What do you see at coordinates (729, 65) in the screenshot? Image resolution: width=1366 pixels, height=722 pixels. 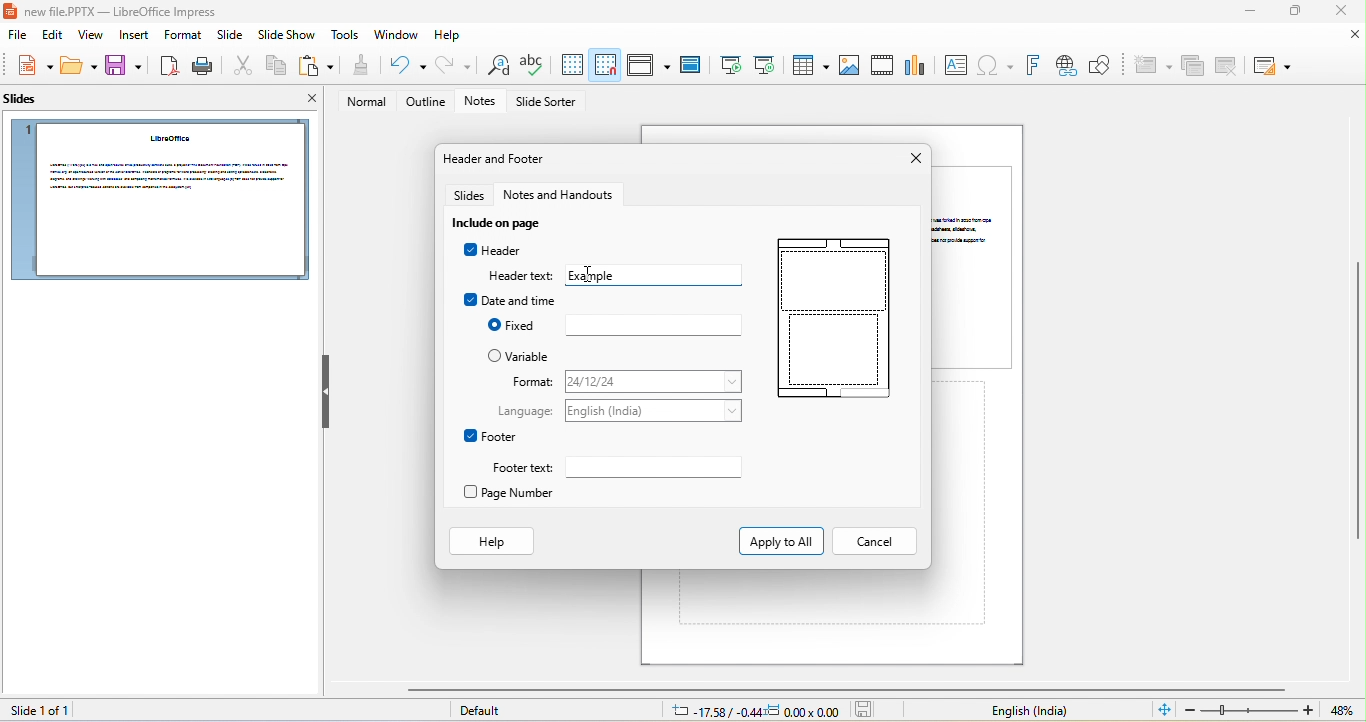 I see `start from first slide` at bounding box center [729, 65].